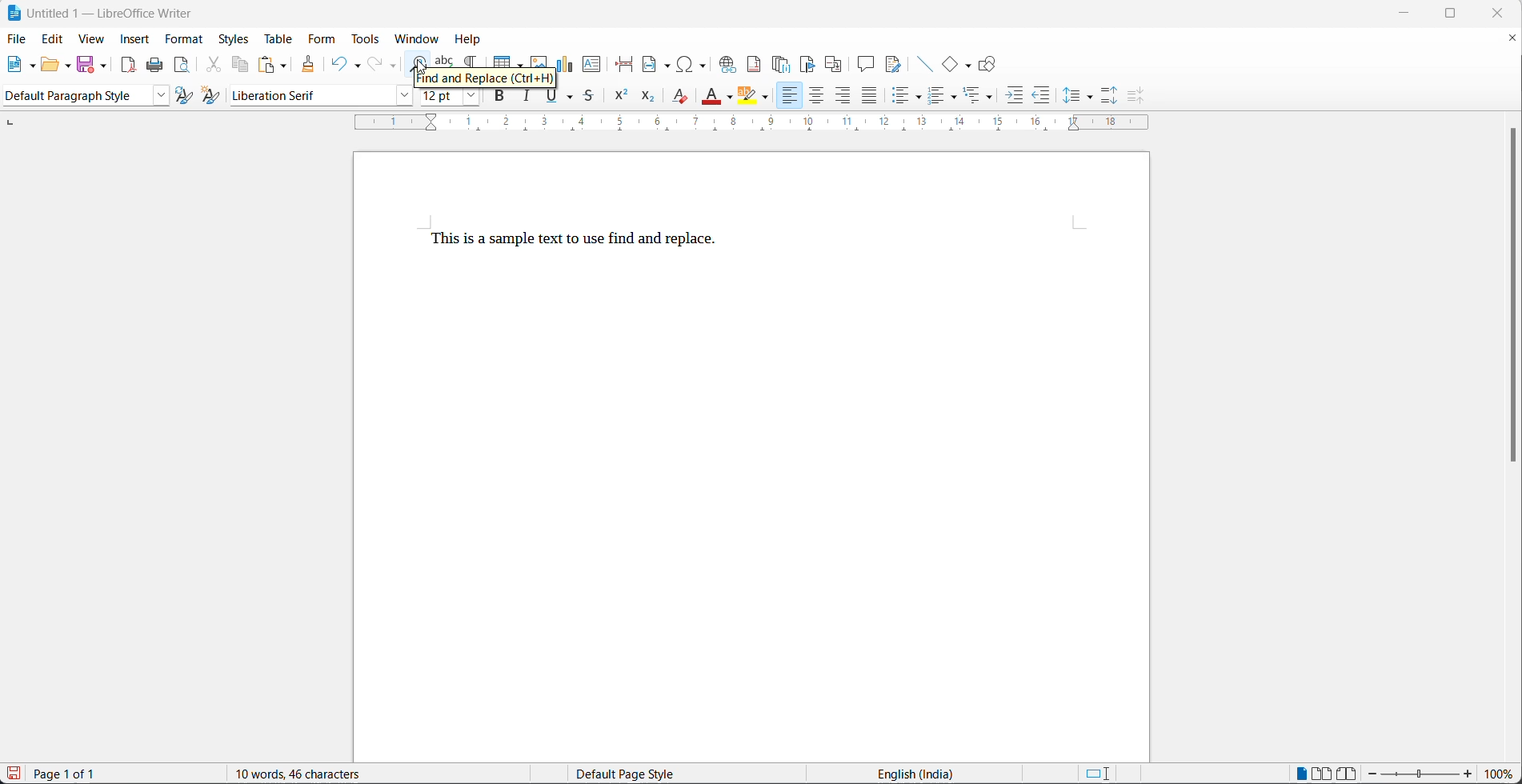  What do you see at coordinates (752, 458) in the screenshot?
I see `page` at bounding box center [752, 458].